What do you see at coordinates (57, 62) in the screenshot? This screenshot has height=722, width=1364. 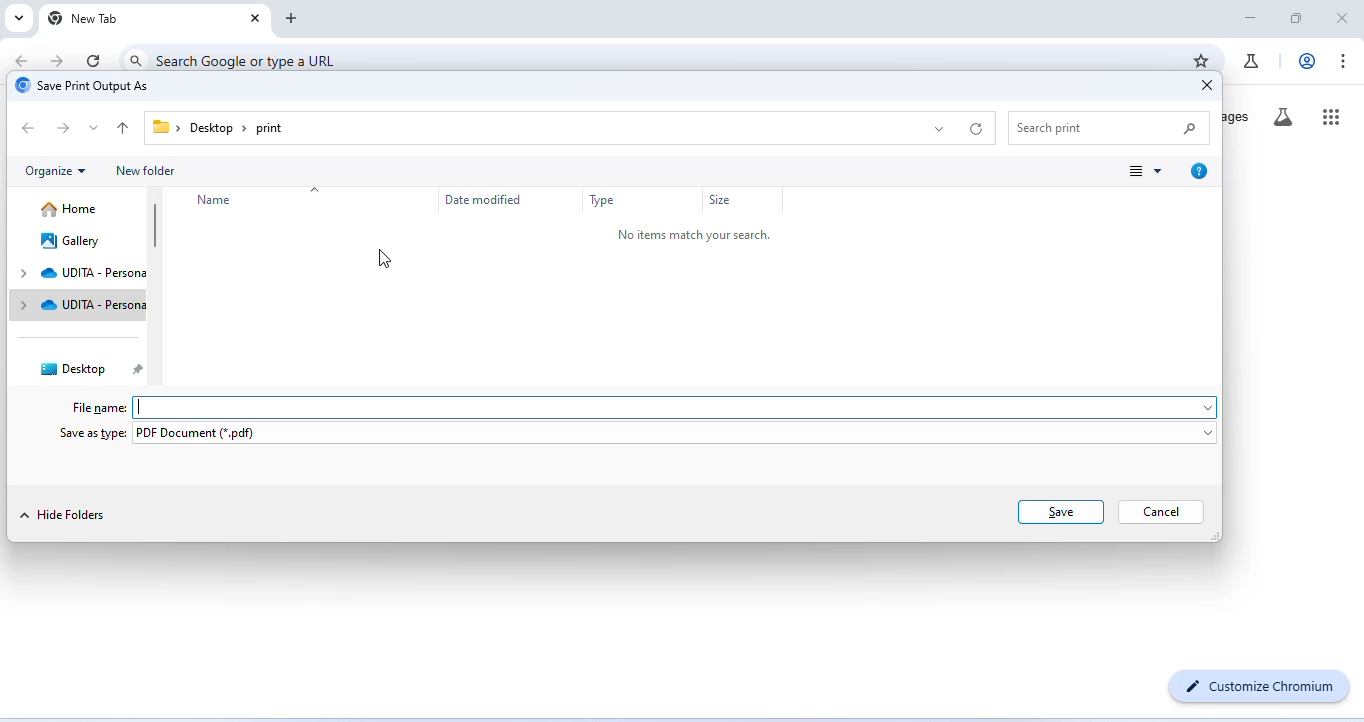 I see `go forward` at bounding box center [57, 62].